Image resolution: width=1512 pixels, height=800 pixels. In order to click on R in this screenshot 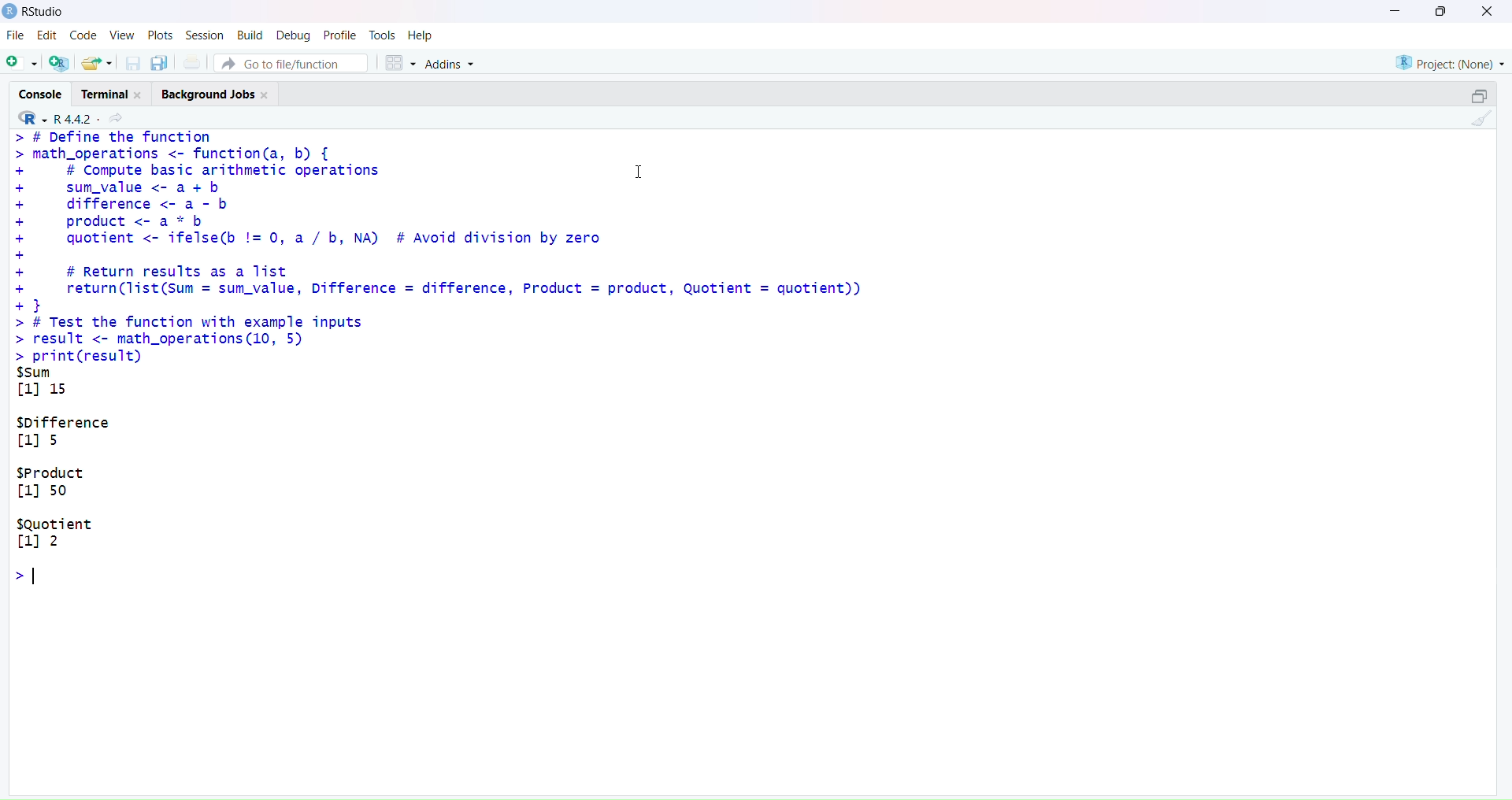, I will do `click(28, 119)`.